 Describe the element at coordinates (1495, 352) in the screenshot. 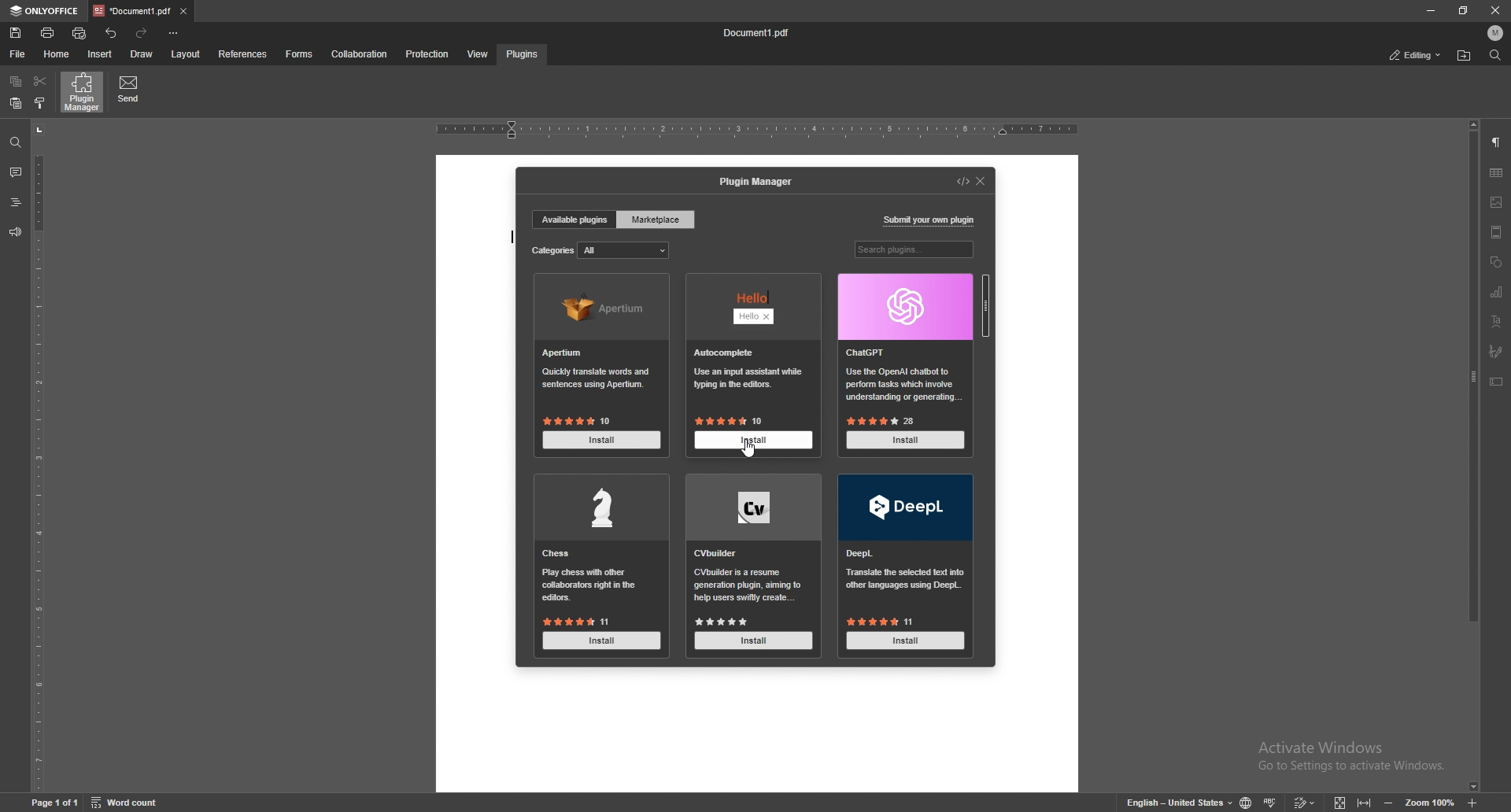

I see `signature` at that location.